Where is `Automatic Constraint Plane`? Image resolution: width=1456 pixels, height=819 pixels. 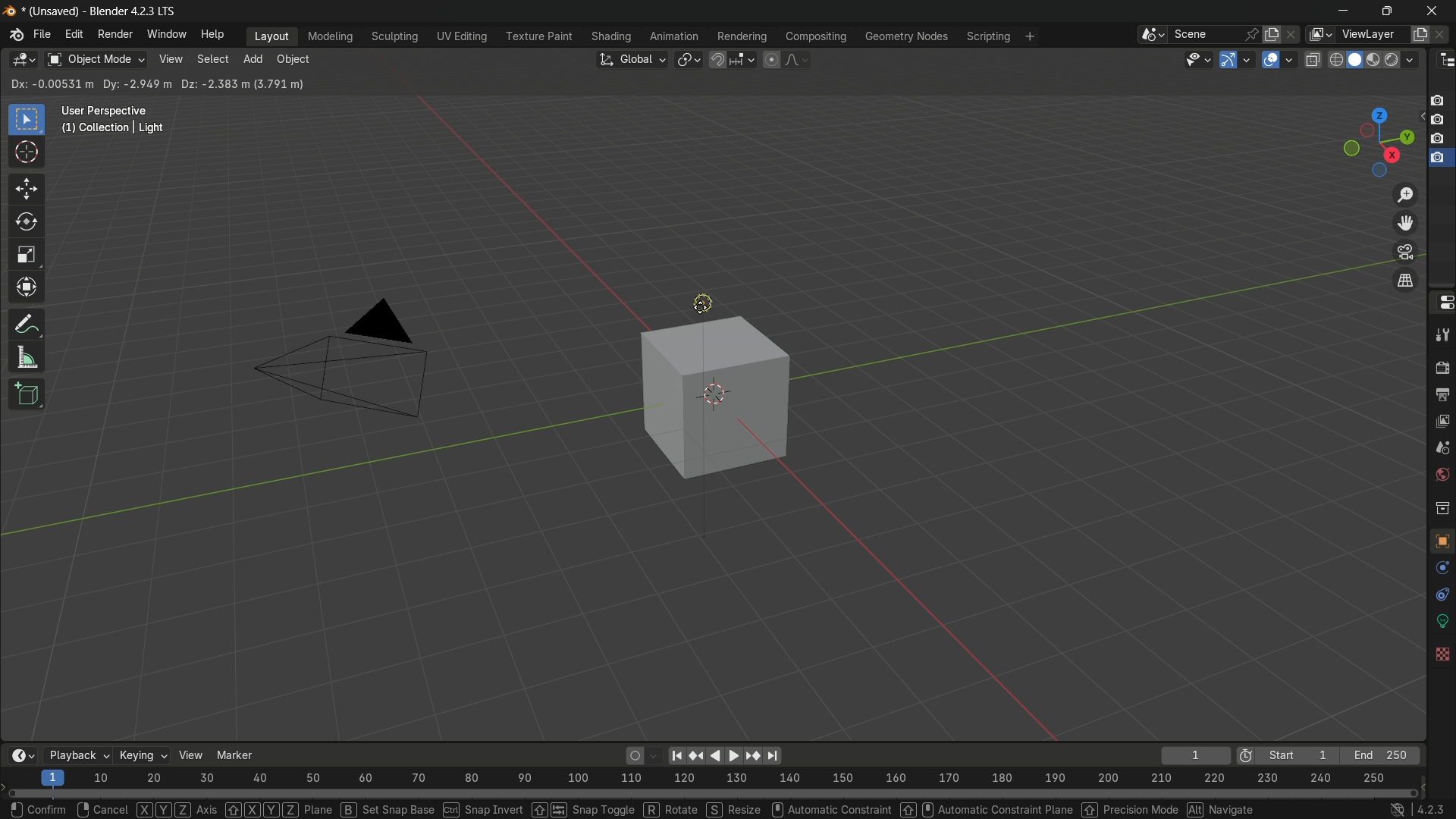
Automatic Constraint Plane is located at coordinates (985, 808).